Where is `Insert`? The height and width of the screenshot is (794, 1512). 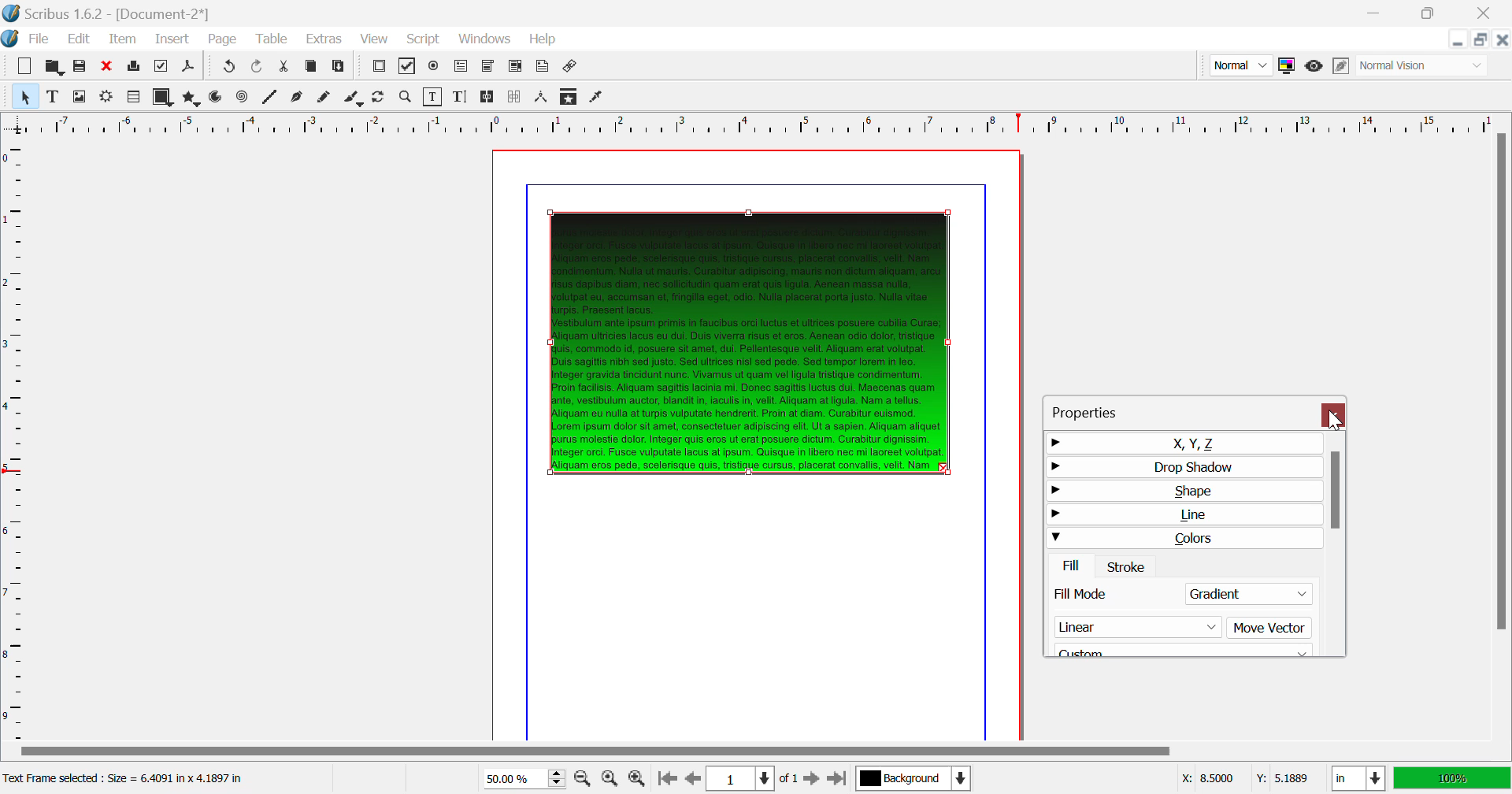
Insert is located at coordinates (173, 40).